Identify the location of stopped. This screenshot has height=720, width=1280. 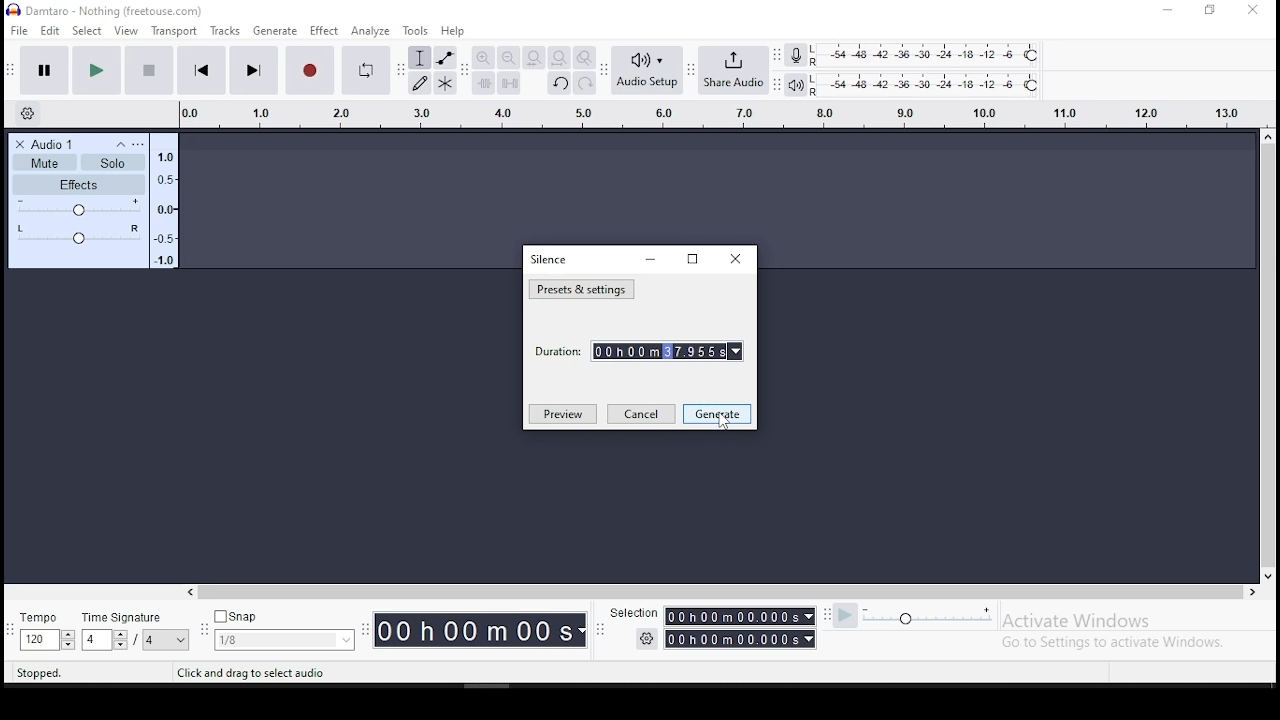
(38, 673).